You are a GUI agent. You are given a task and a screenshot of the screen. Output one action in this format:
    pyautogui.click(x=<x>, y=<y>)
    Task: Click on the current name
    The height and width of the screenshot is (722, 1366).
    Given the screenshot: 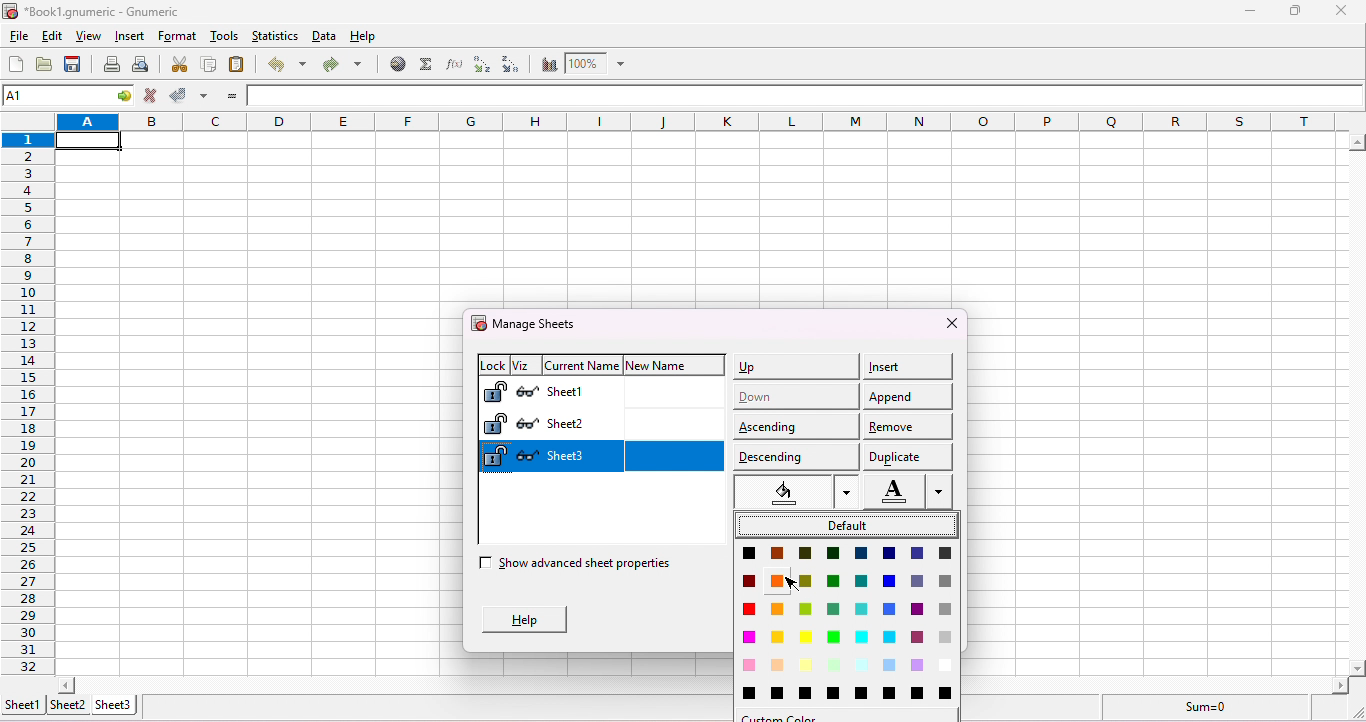 What is the action you would take?
    pyautogui.click(x=580, y=364)
    